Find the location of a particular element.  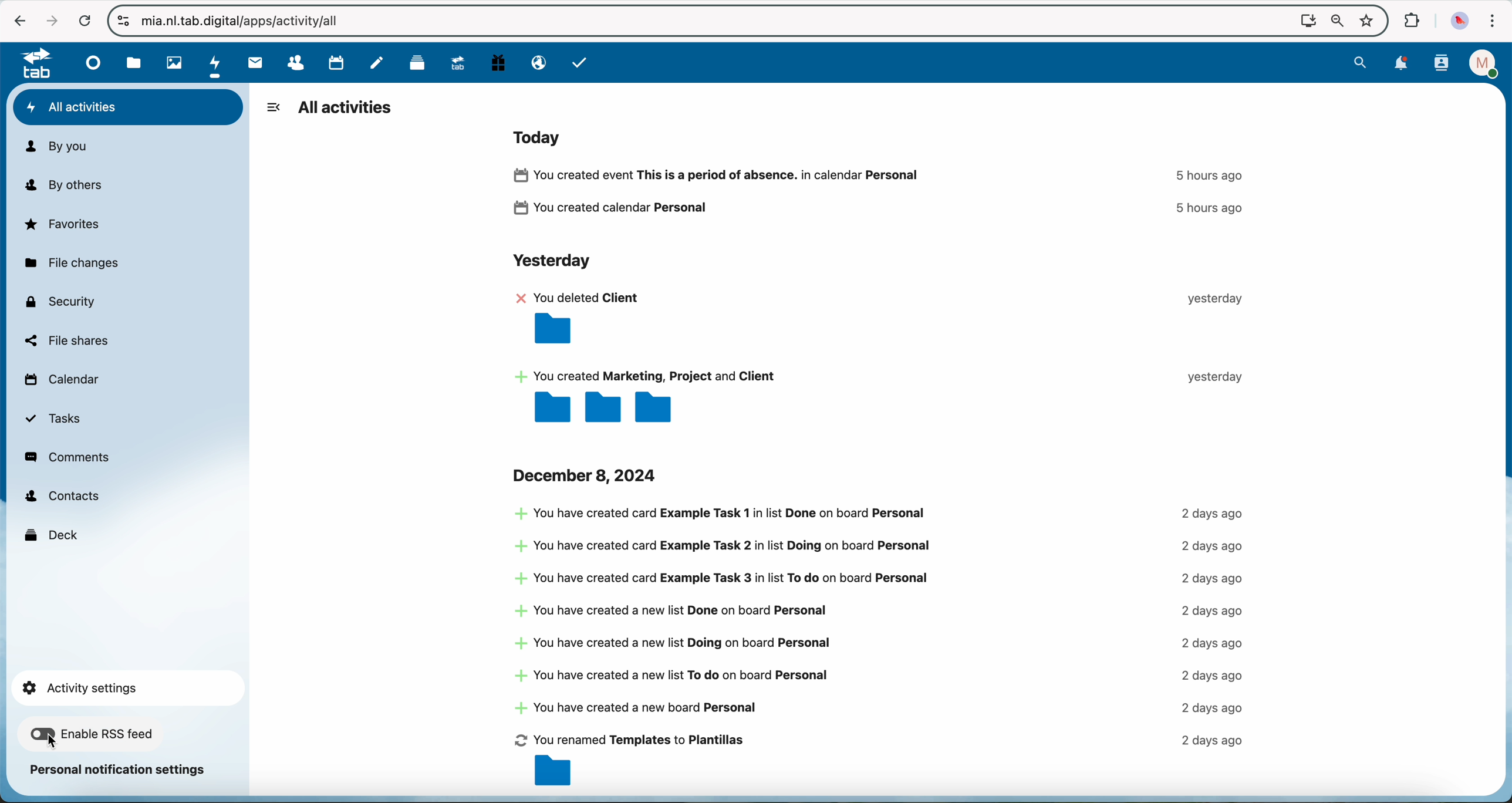

navigate back is located at coordinates (14, 21).